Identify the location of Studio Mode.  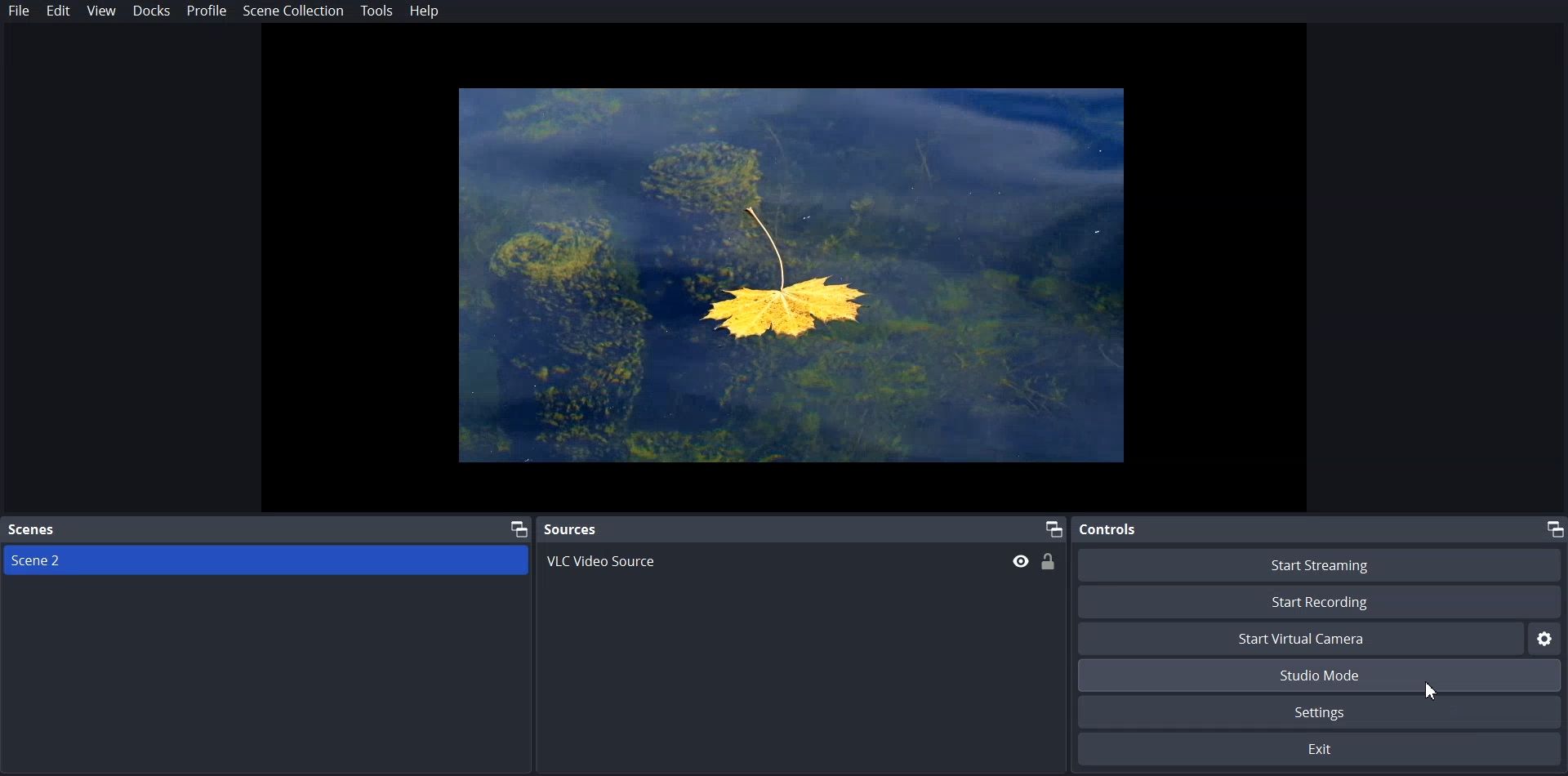
(1322, 676).